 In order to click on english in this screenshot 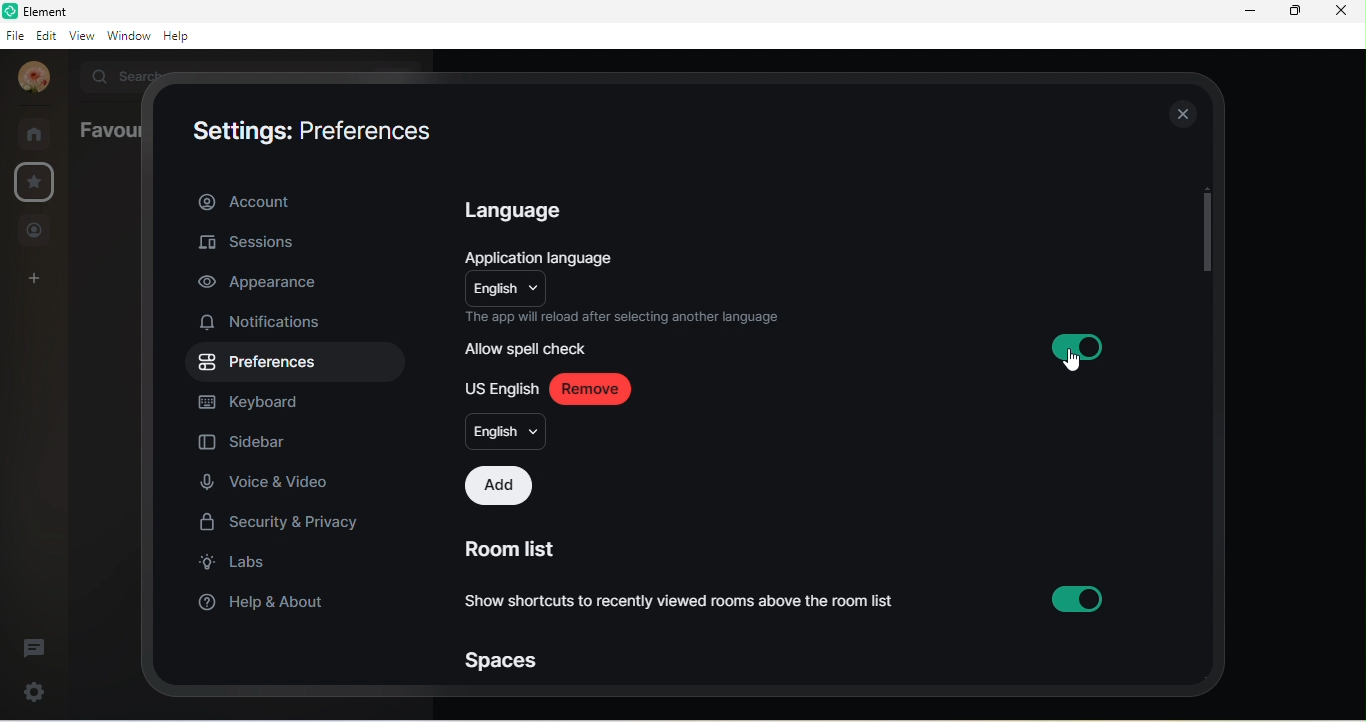, I will do `click(508, 289)`.